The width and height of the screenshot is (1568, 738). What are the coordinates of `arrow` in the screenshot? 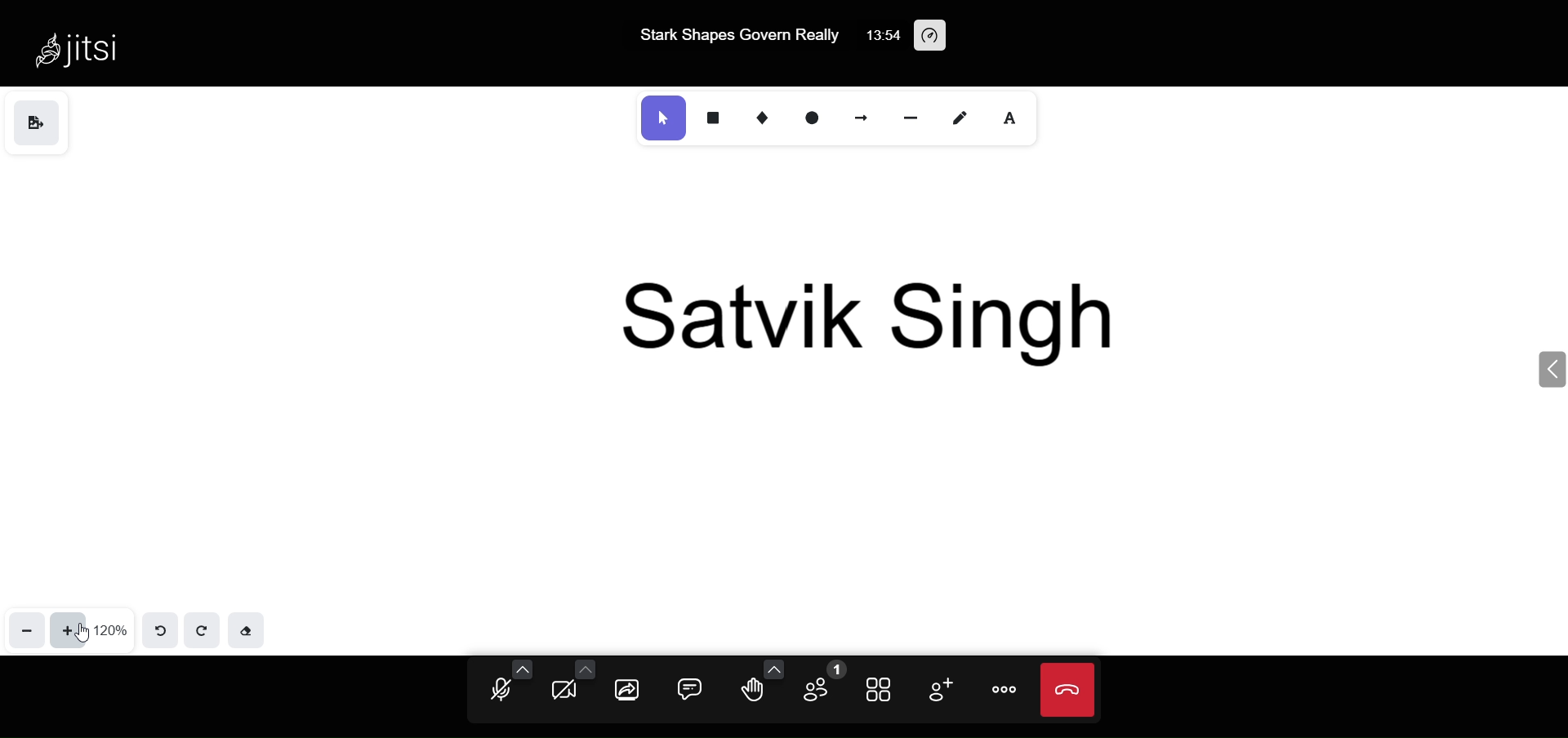 It's located at (864, 115).